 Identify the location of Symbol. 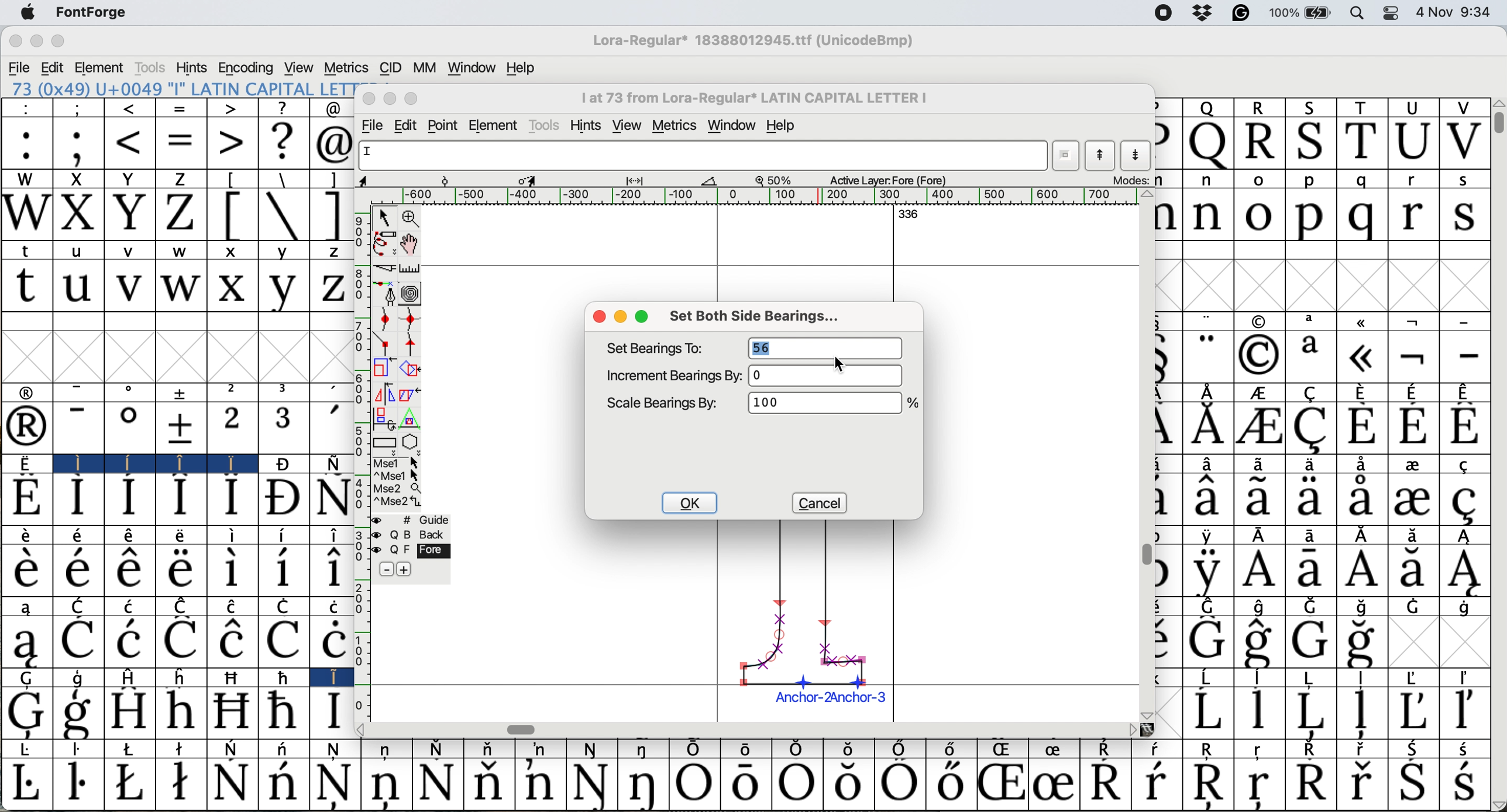
(1261, 393).